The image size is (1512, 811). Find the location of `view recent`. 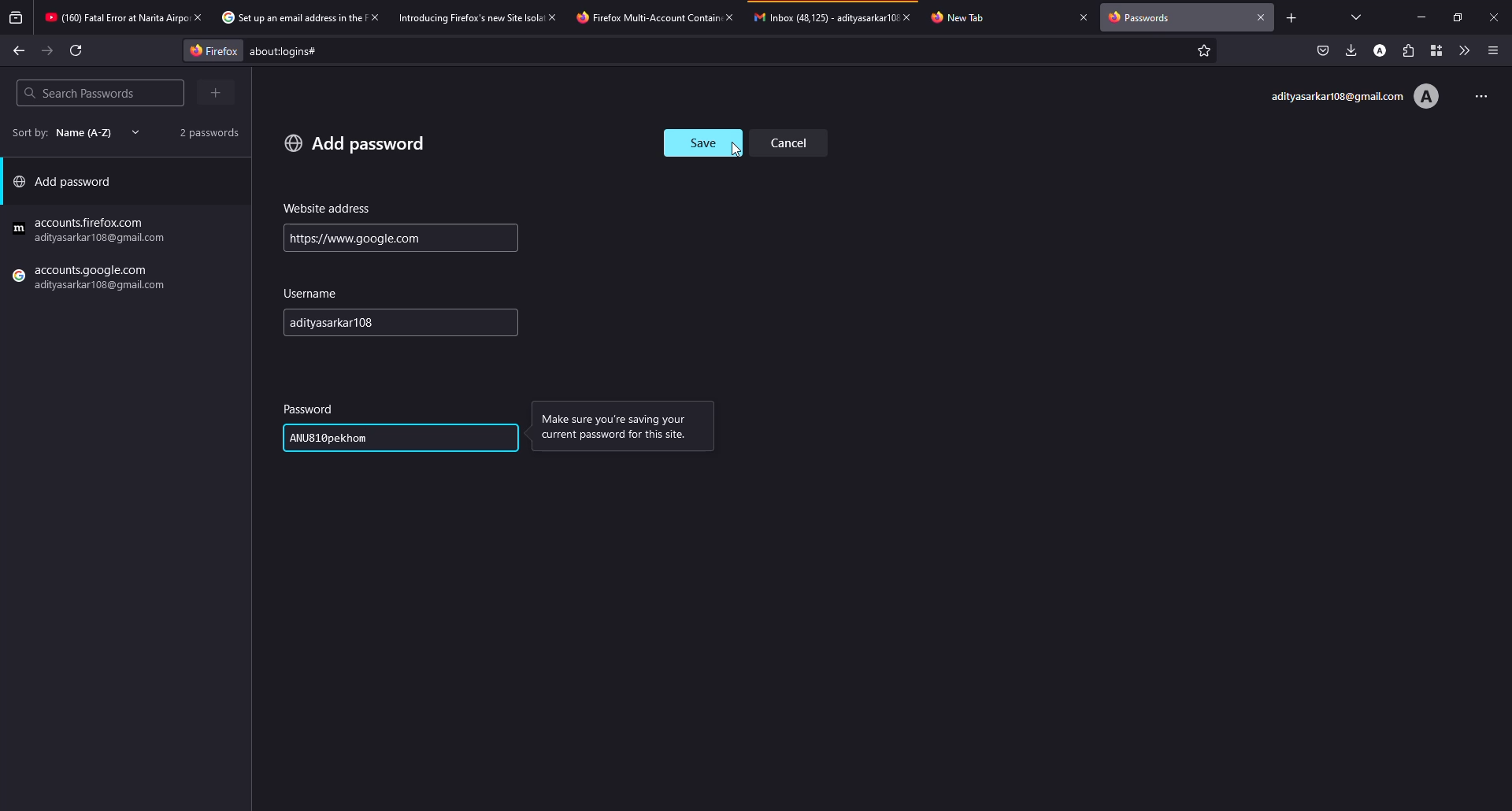

view recent is located at coordinates (17, 18).